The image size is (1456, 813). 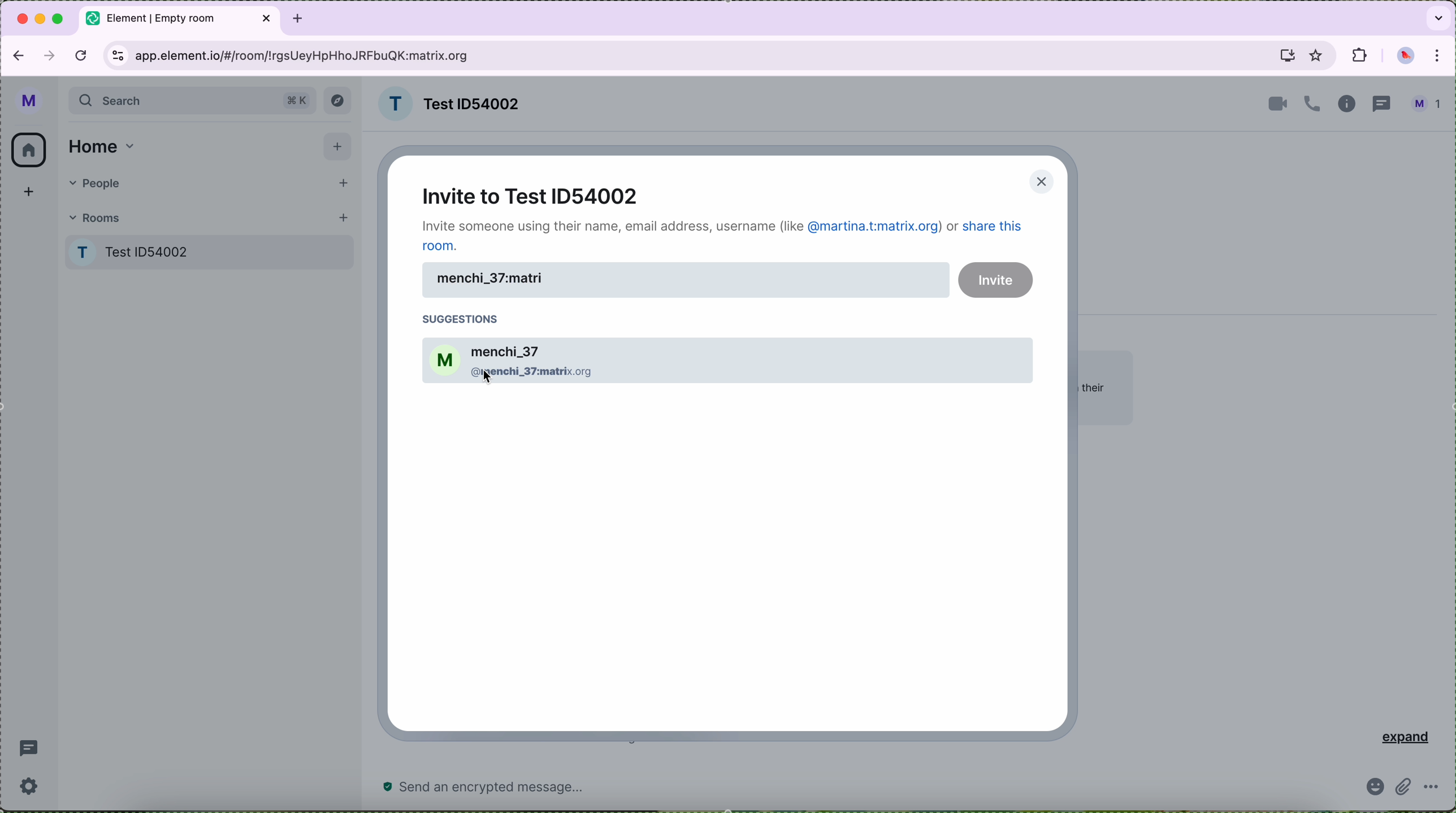 I want to click on customize and control Google Chrome, so click(x=1440, y=56).